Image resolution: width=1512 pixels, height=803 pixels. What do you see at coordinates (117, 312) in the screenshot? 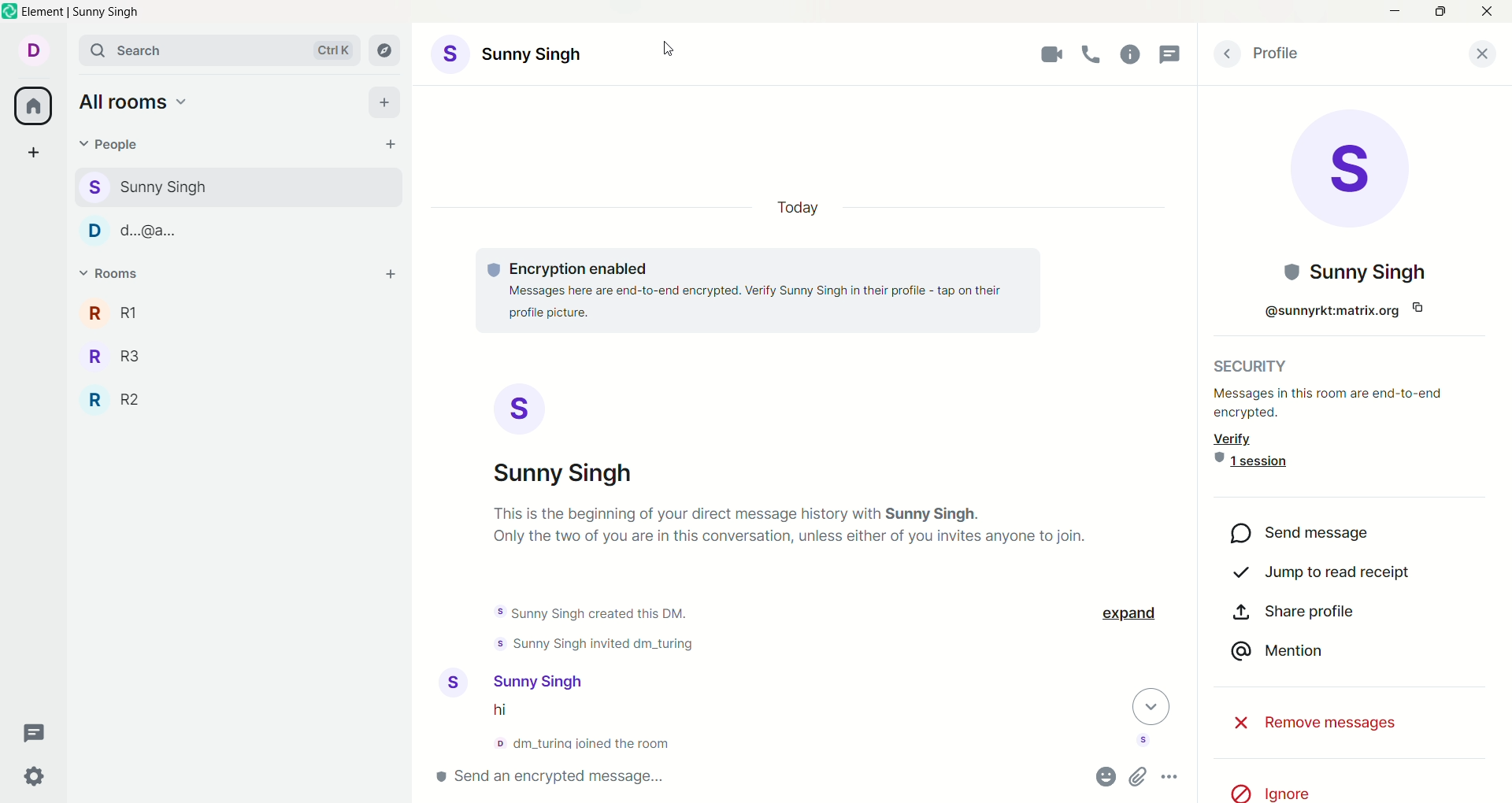
I see `R1` at bounding box center [117, 312].